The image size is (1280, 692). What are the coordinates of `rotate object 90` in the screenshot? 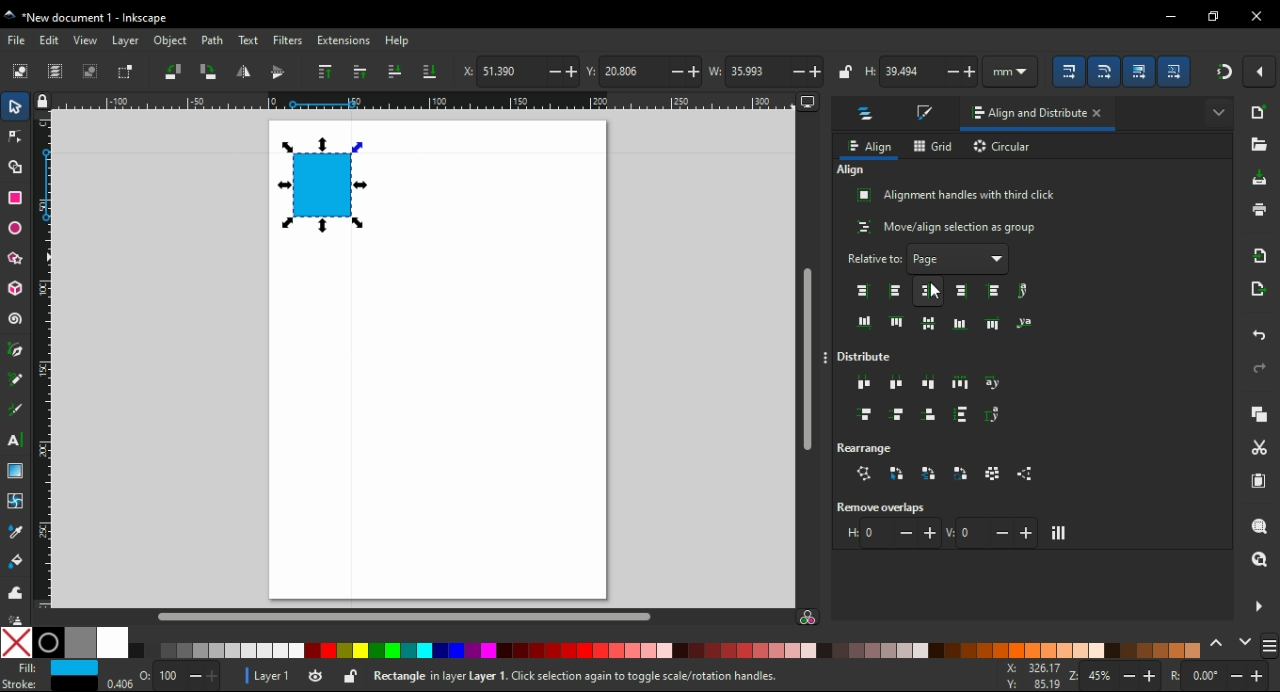 It's located at (210, 71).